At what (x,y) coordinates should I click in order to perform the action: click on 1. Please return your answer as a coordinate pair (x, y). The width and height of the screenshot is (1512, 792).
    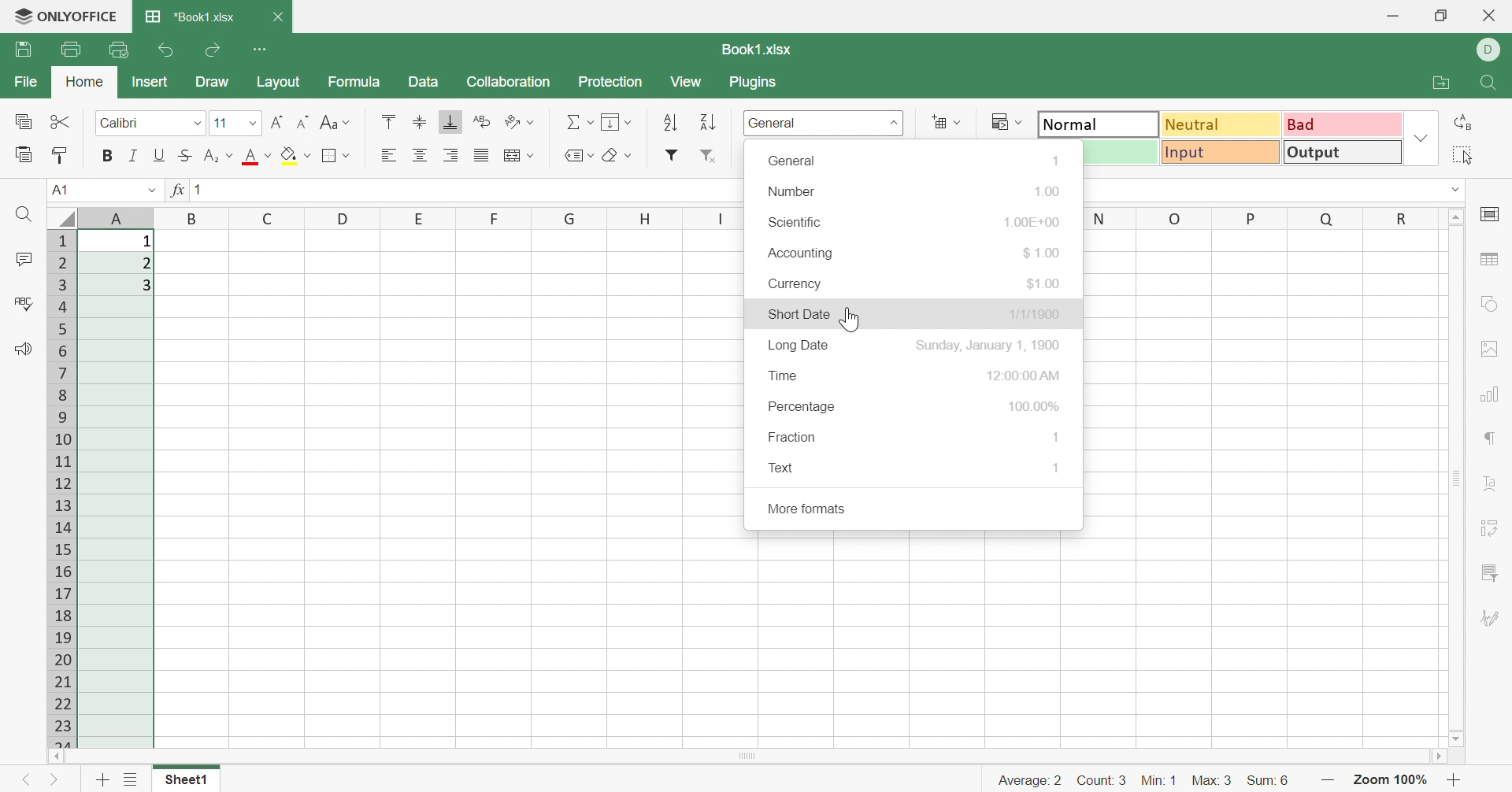
    Looking at the image, I should click on (147, 242).